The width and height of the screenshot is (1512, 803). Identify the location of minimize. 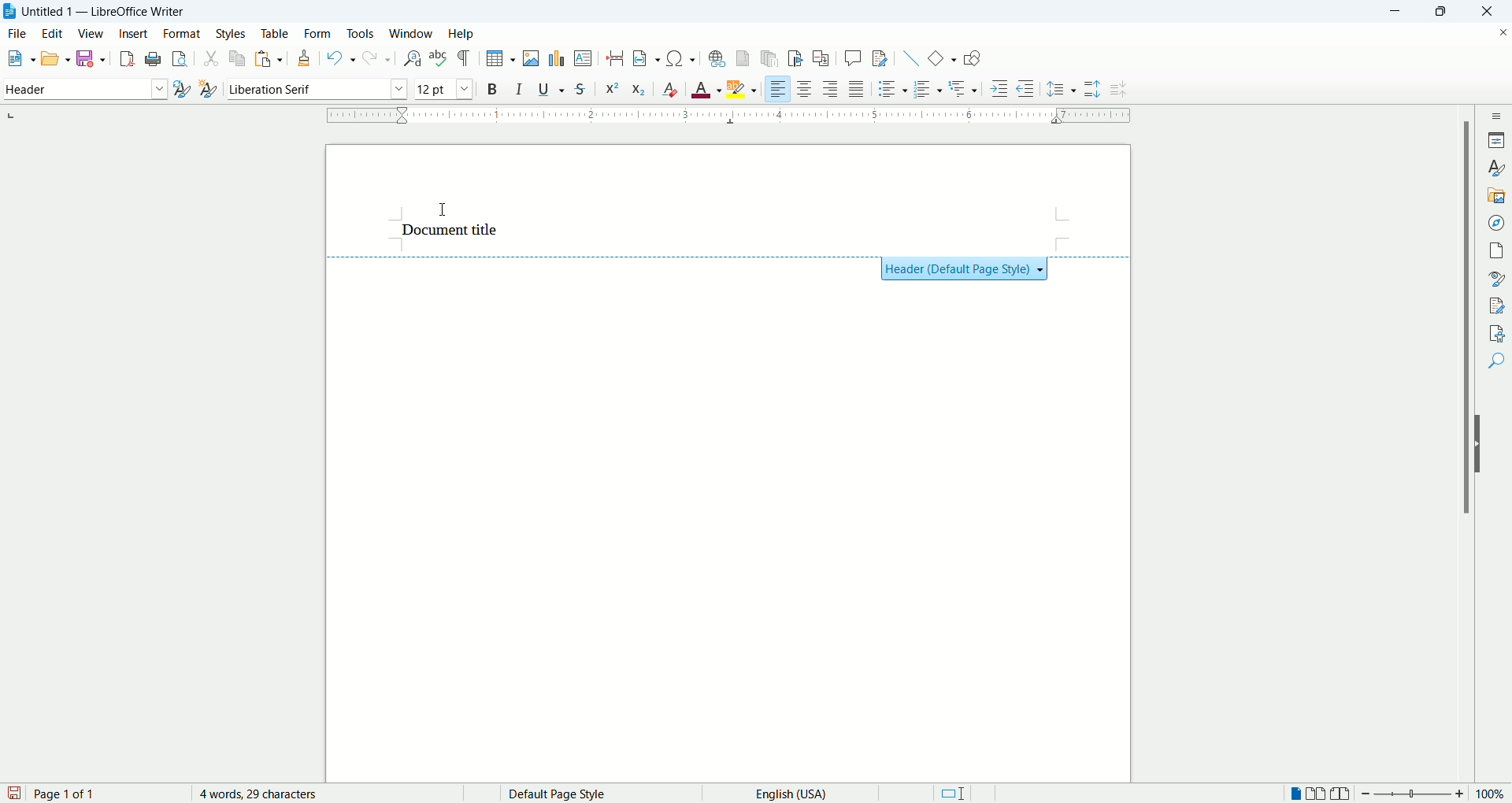
(1400, 11).